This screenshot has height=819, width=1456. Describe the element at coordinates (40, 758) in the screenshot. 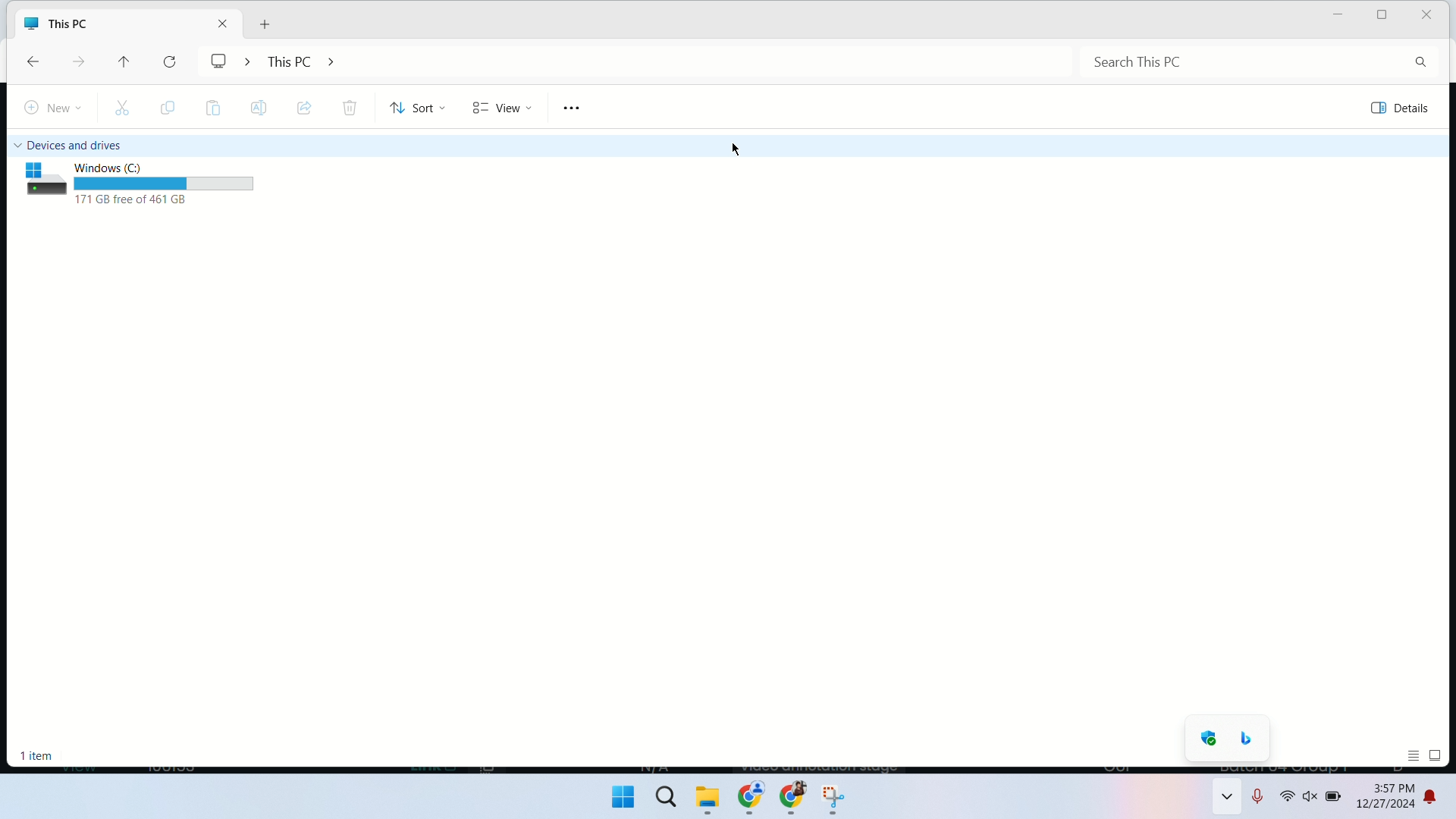

I see `selected item count` at that location.